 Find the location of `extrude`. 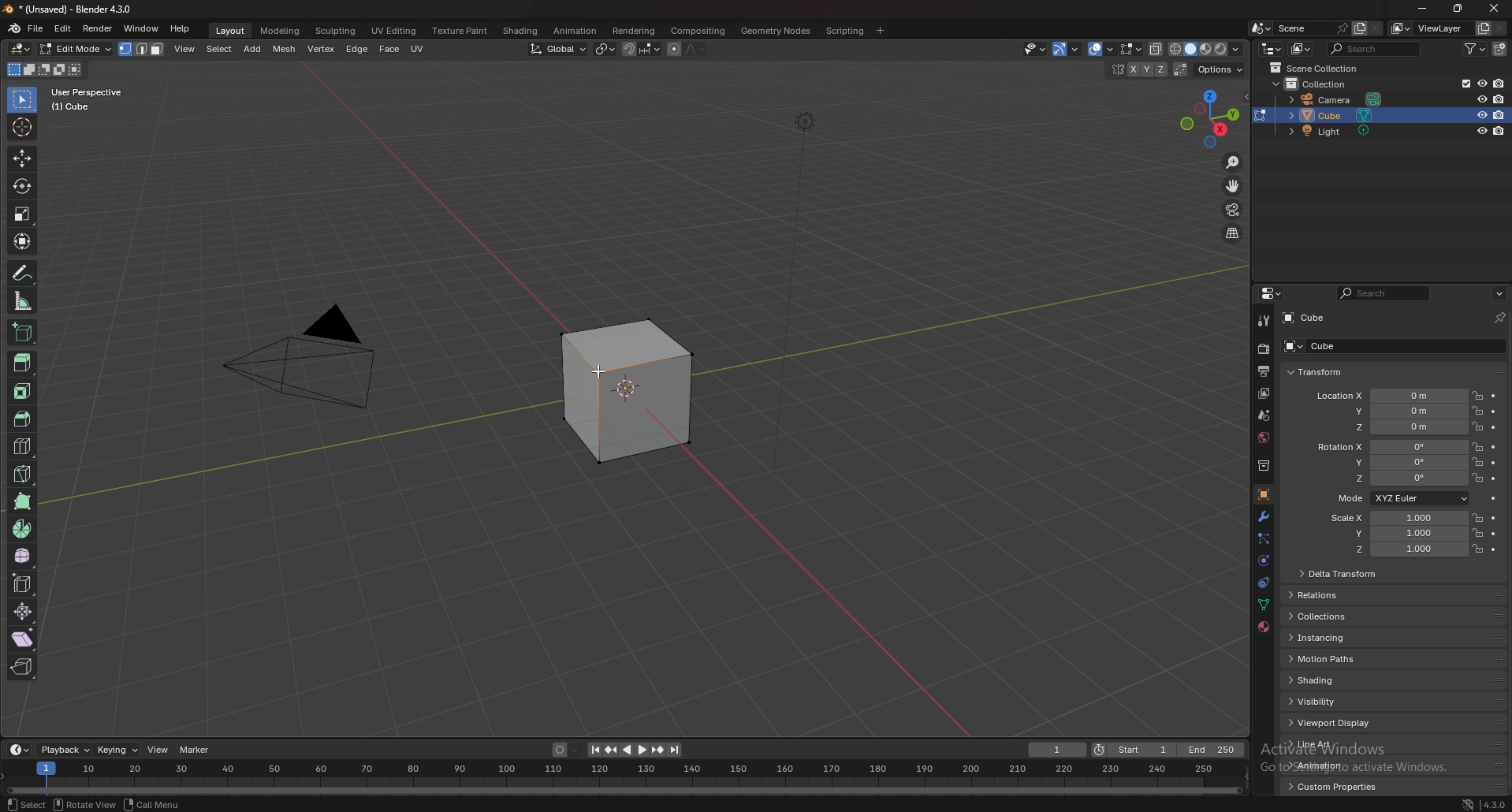

extrude is located at coordinates (24, 363).